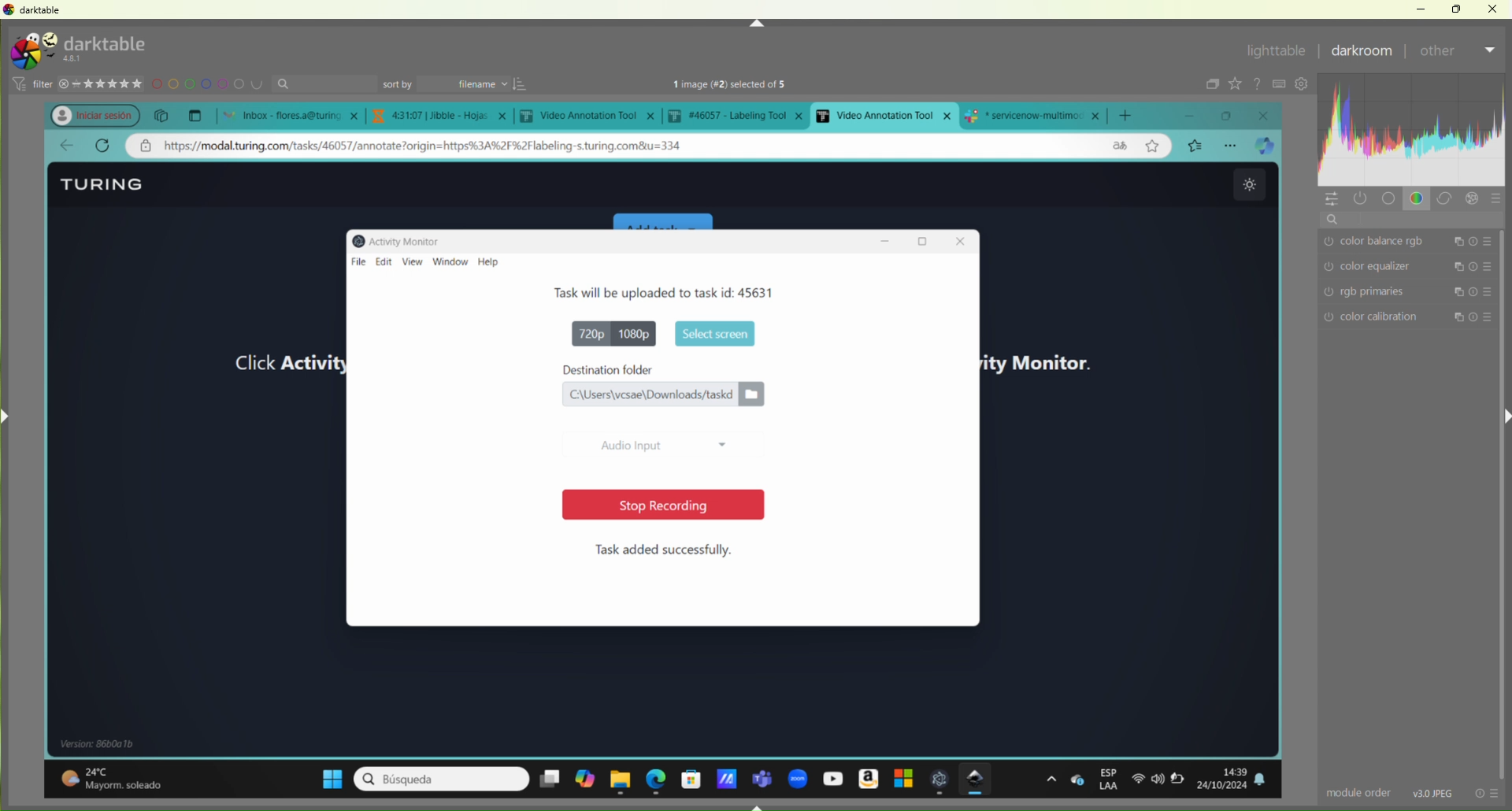  Describe the element at coordinates (638, 333) in the screenshot. I see `1080p` at that location.